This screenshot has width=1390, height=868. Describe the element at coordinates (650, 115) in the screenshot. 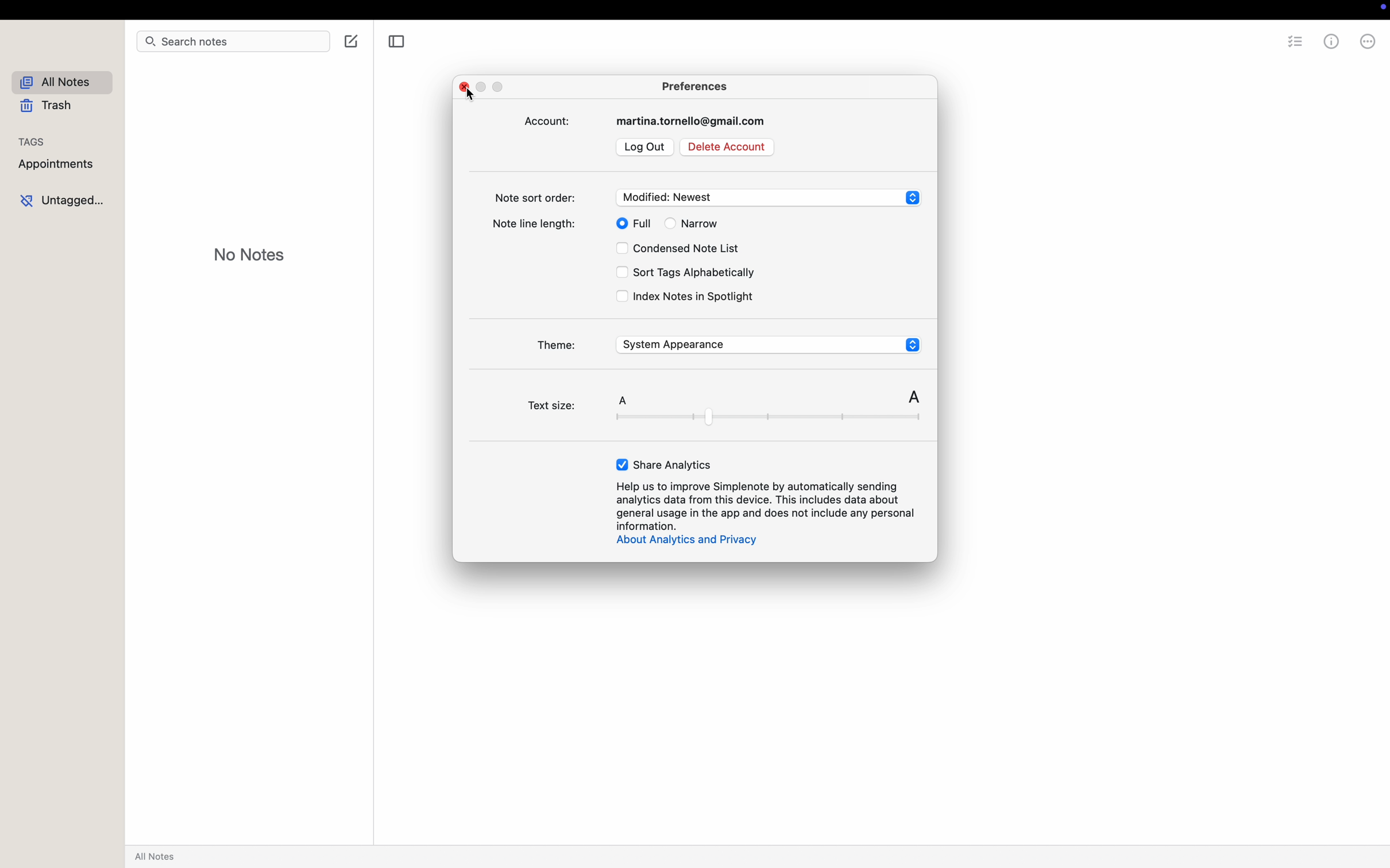

I see `account` at that location.